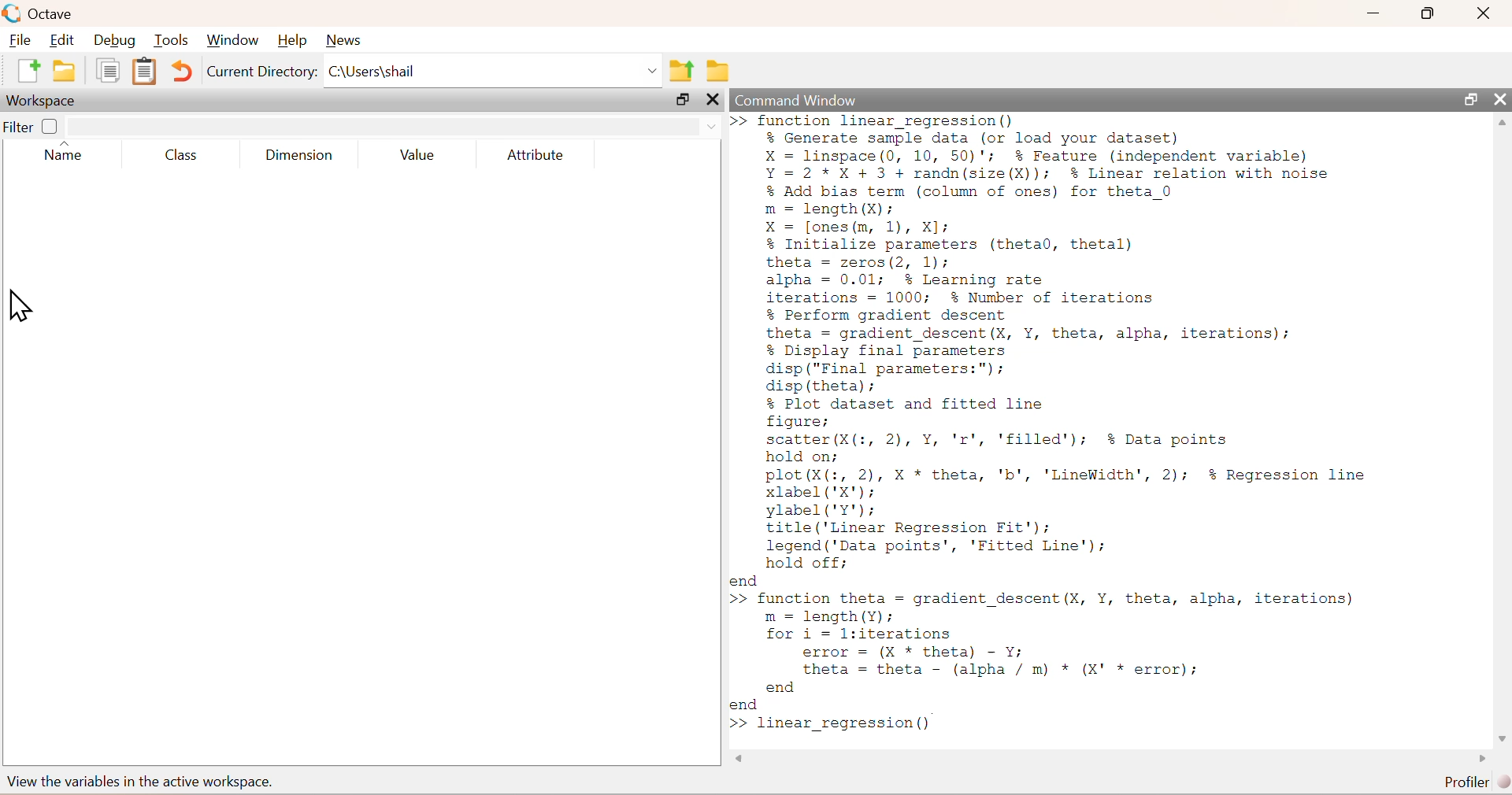 The image size is (1512, 795). I want to click on Current Directory, so click(262, 72).